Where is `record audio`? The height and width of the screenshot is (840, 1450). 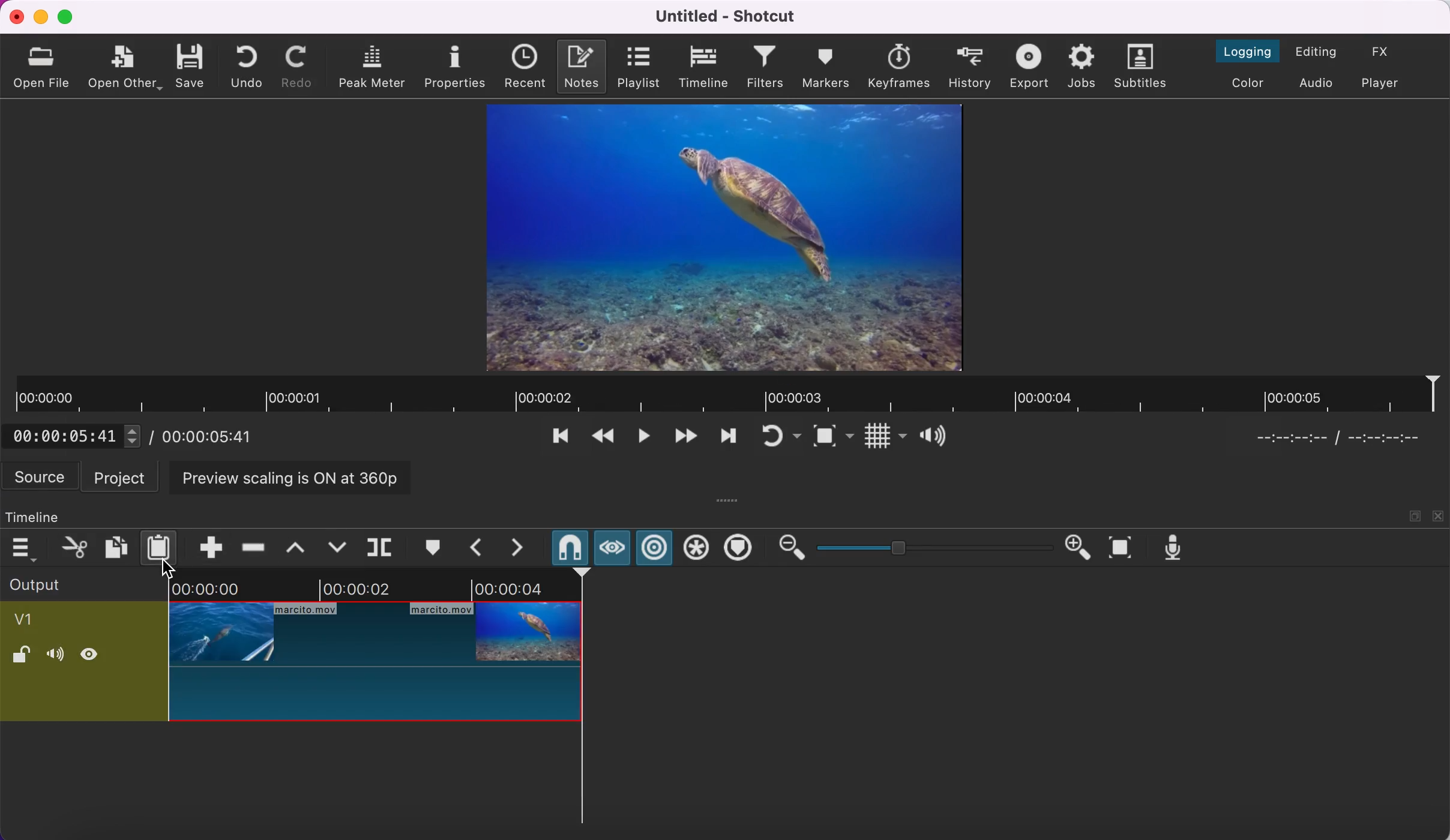 record audio is located at coordinates (1178, 549).